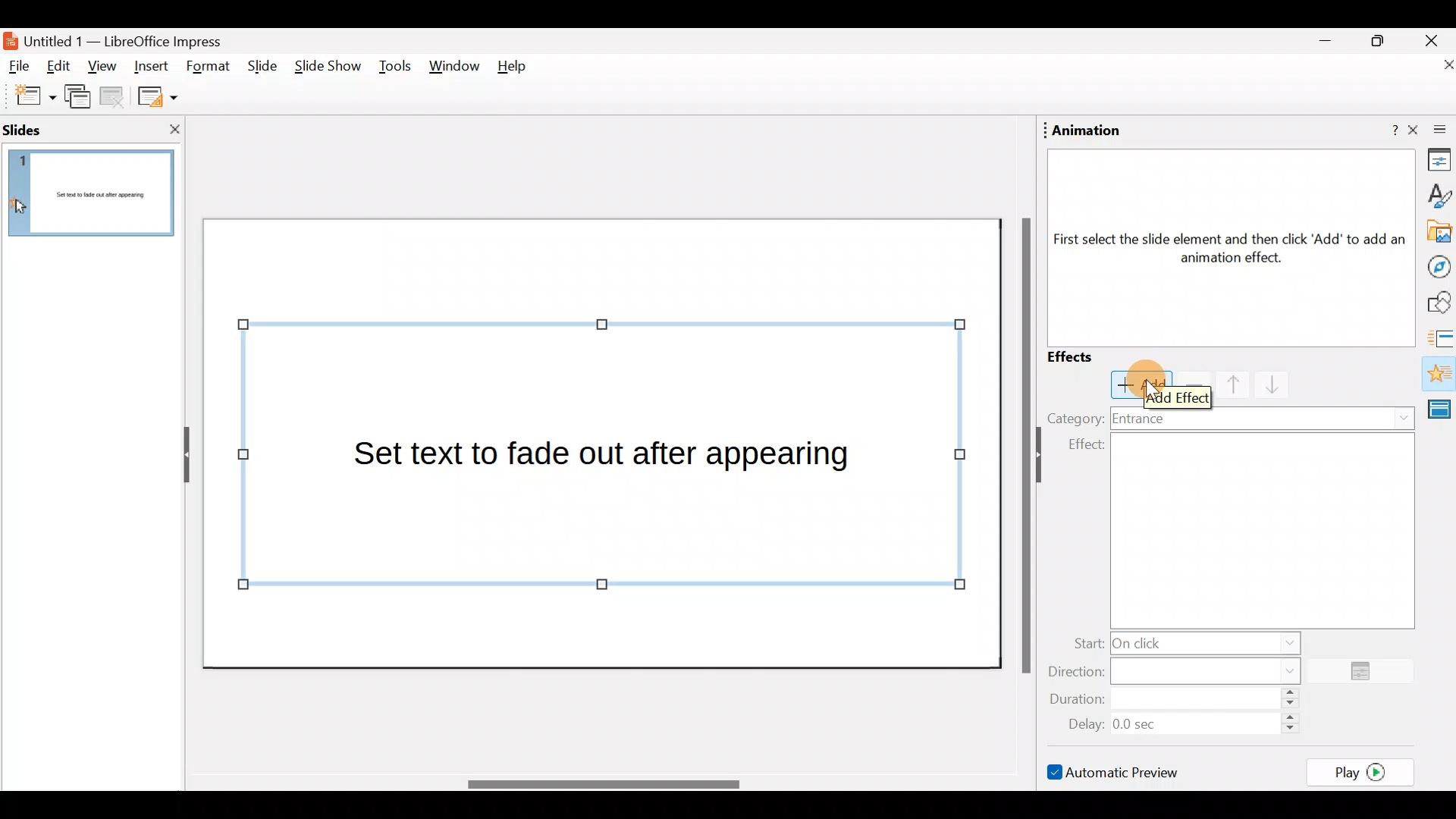 Image resolution: width=1456 pixels, height=819 pixels. What do you see at coordinates (395, 69) in the screenshot?
I see `Tools` at bounding box center [395, 69].